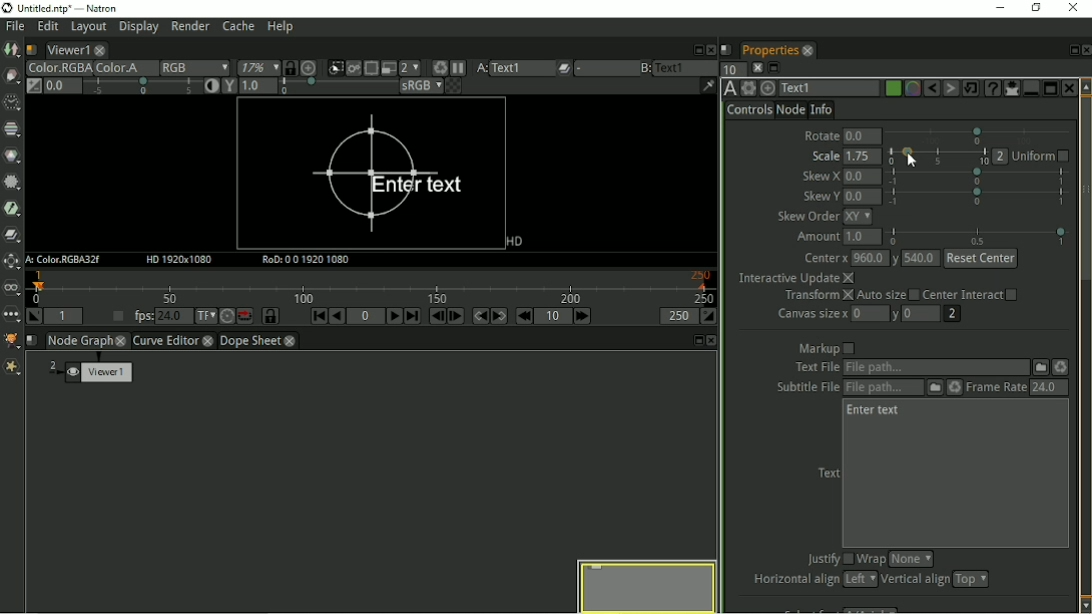 This screenshot has height=614, width=1092. I want to click on Checker board, so click(455, 86).